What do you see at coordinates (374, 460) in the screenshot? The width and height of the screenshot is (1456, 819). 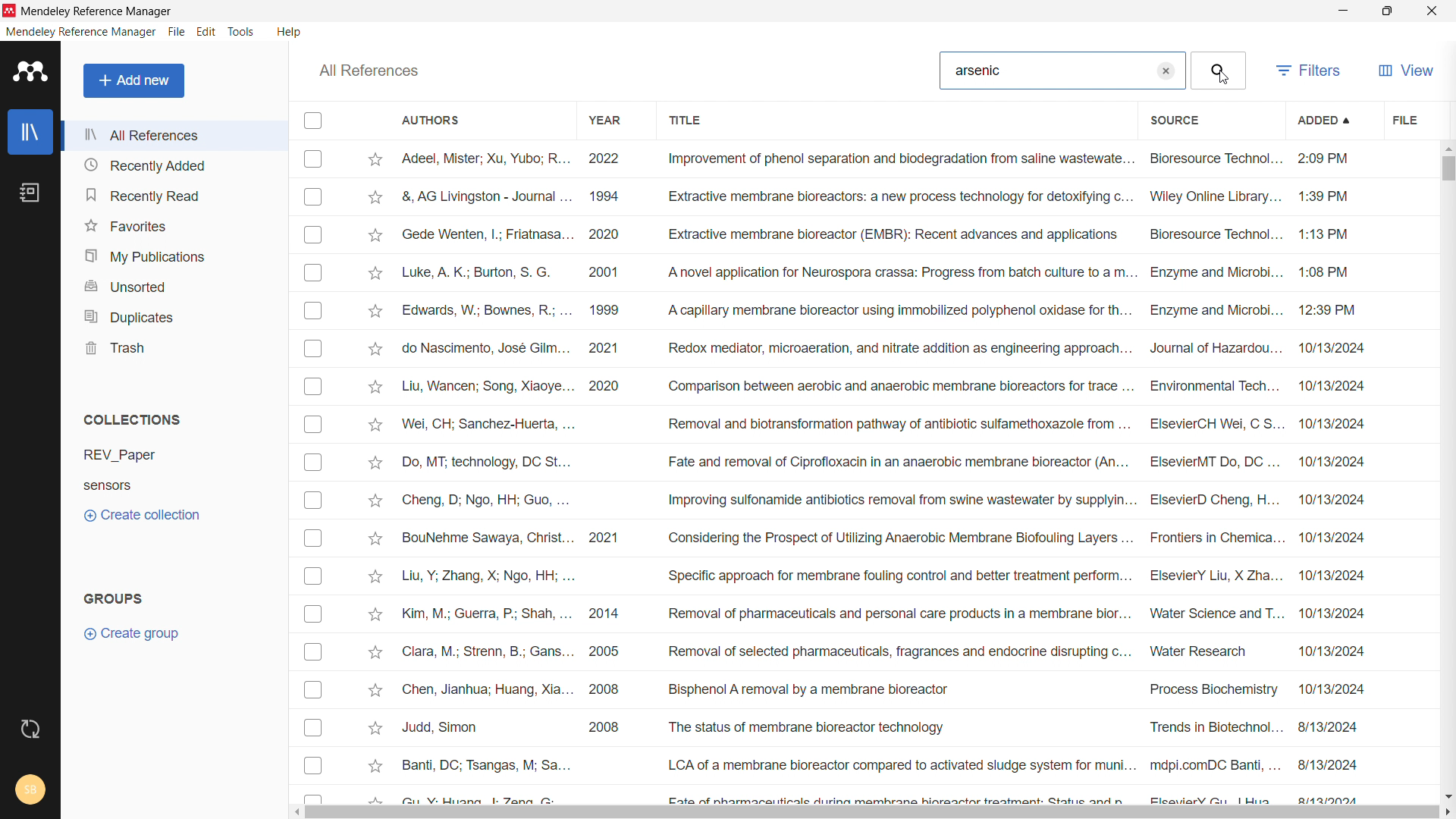 I see `Add to favorites` at bounding box center [374, 460].